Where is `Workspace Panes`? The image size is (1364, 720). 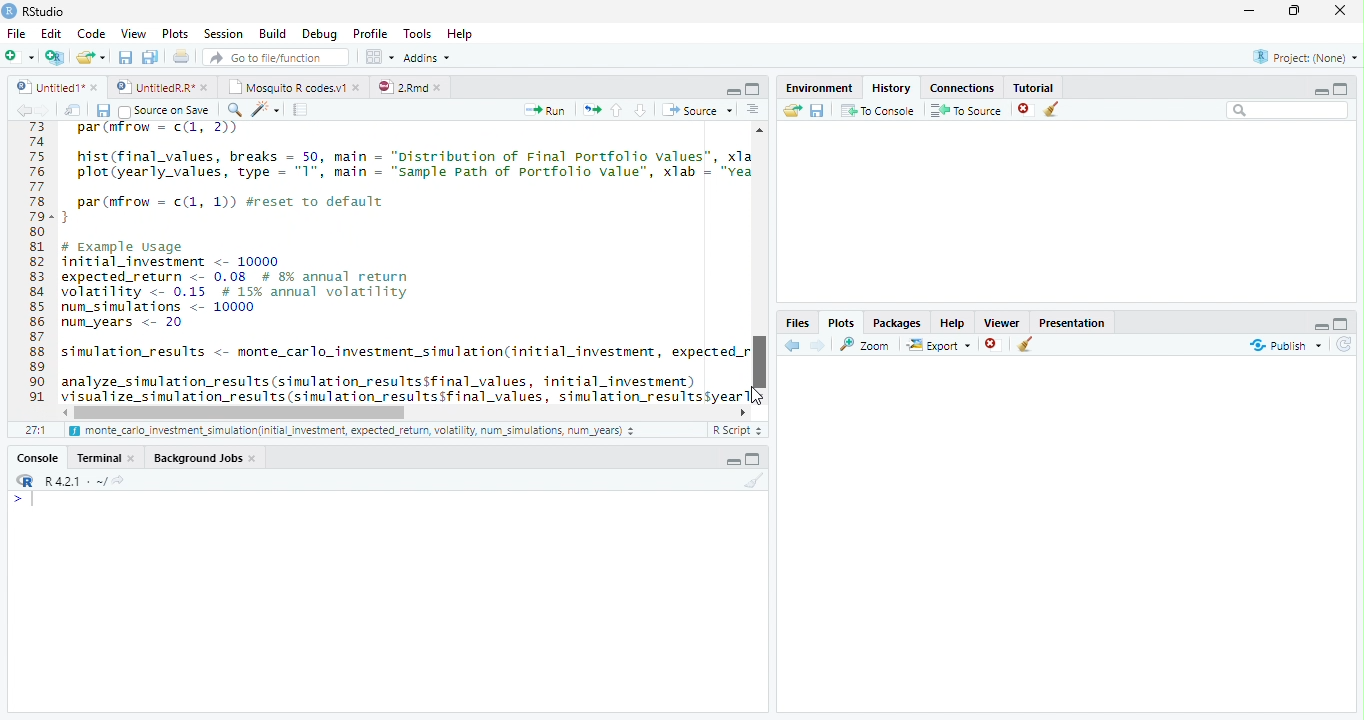 Workspace Panes is located at coordinates (379, 57).